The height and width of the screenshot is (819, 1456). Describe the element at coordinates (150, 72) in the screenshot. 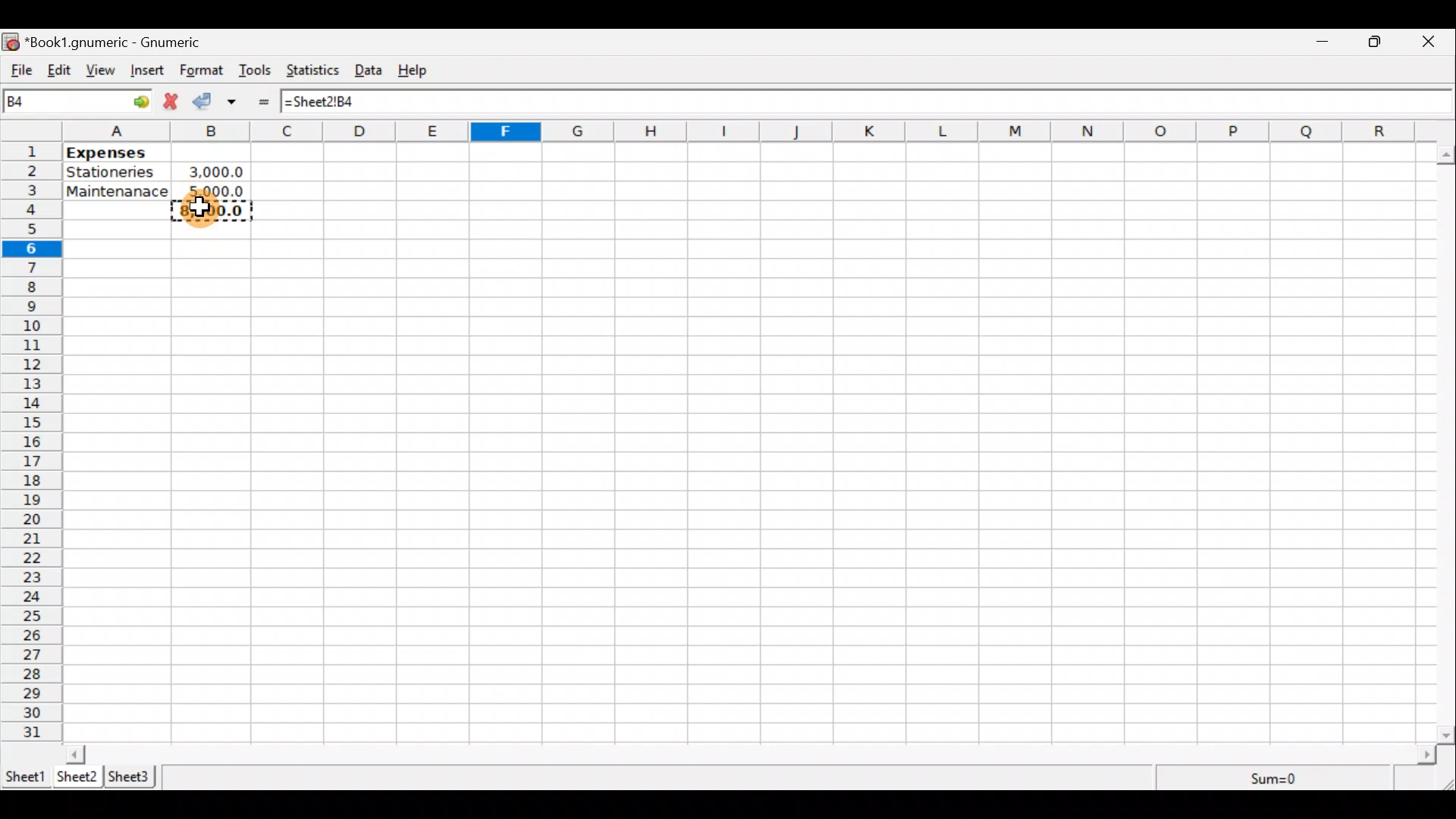

I see `Insert` at that location.